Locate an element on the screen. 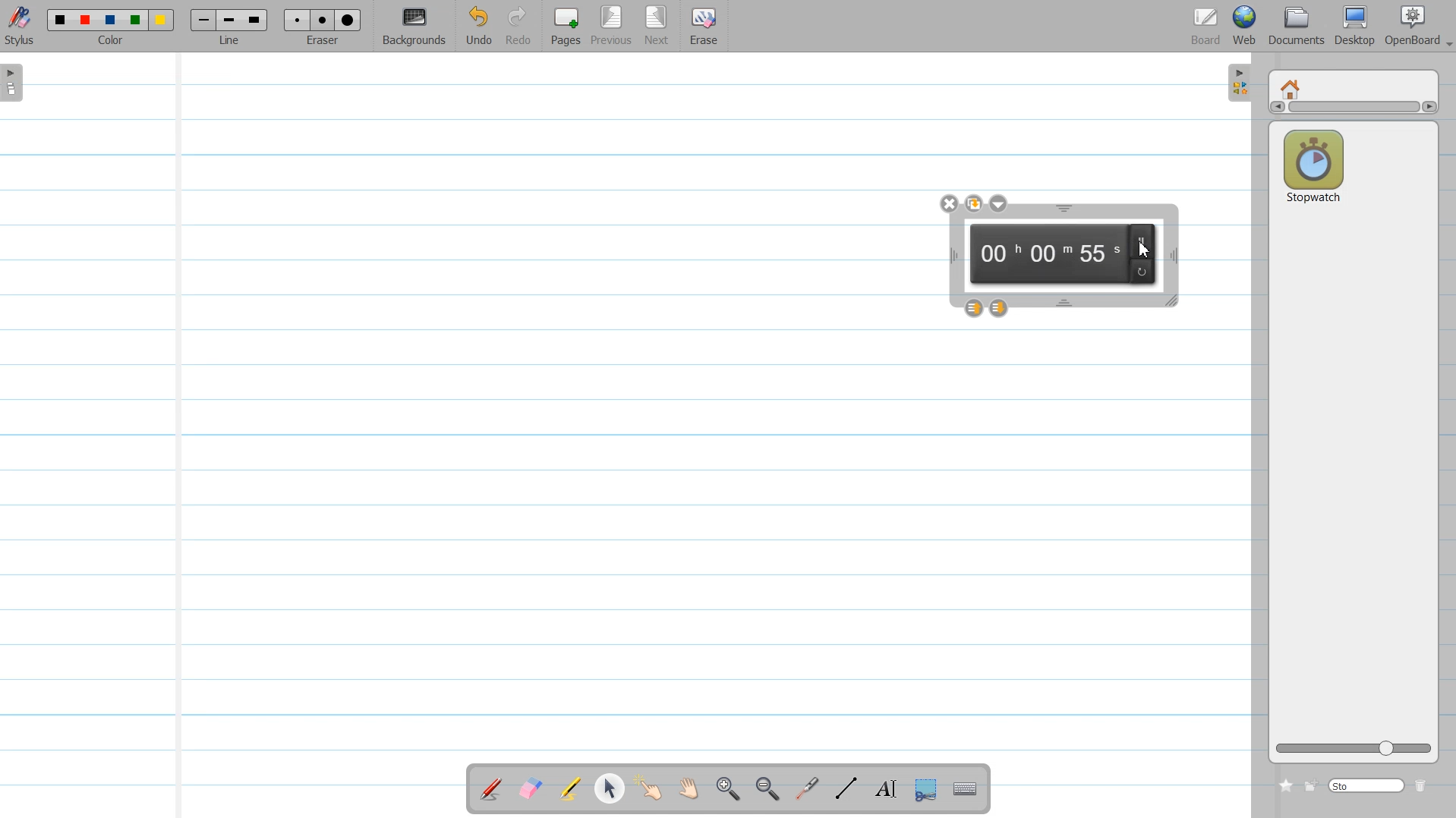  55 second is located at coordinates (1101, 253).